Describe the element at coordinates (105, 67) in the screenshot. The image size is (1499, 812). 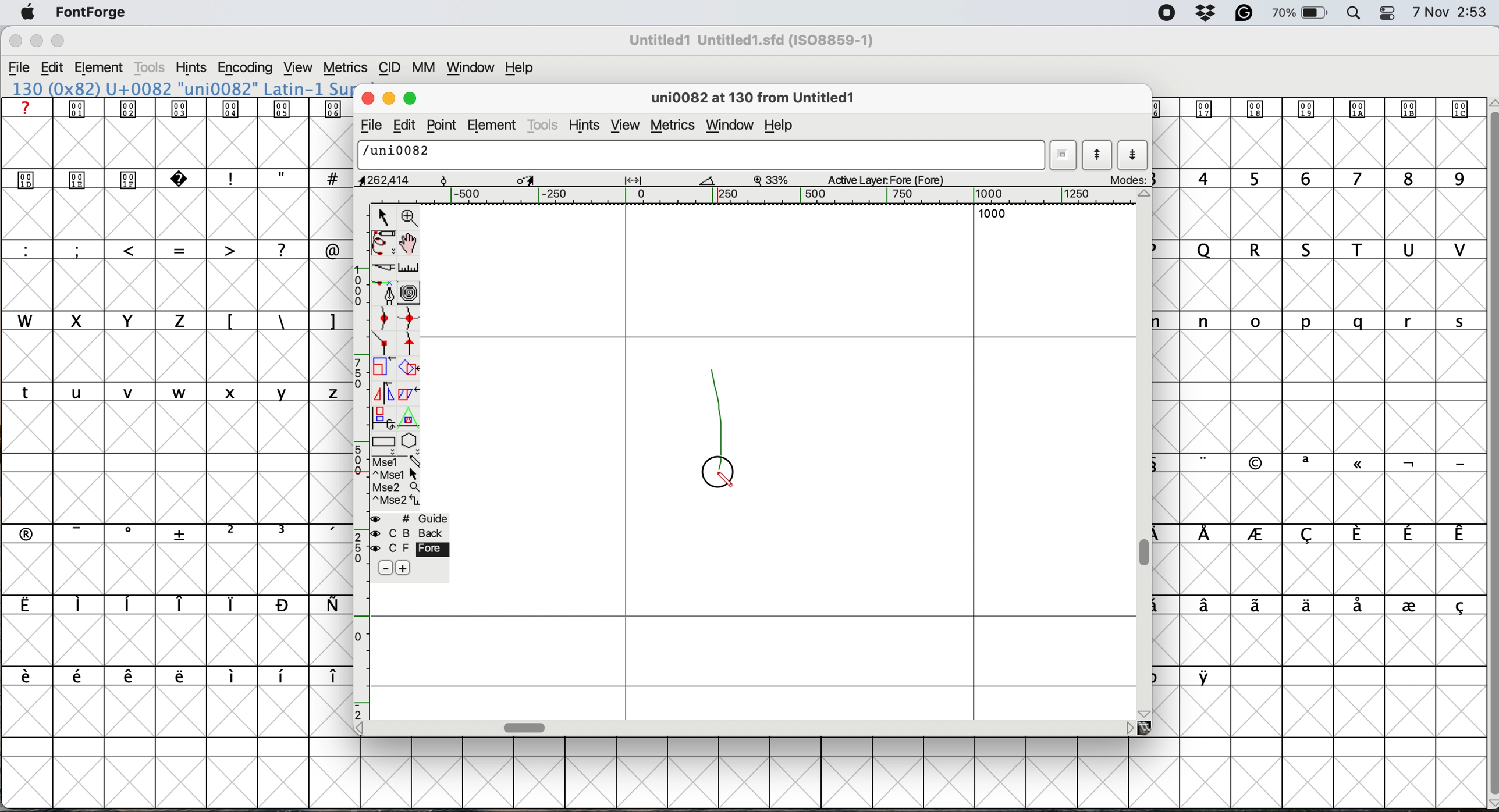
I see `element` at that location.